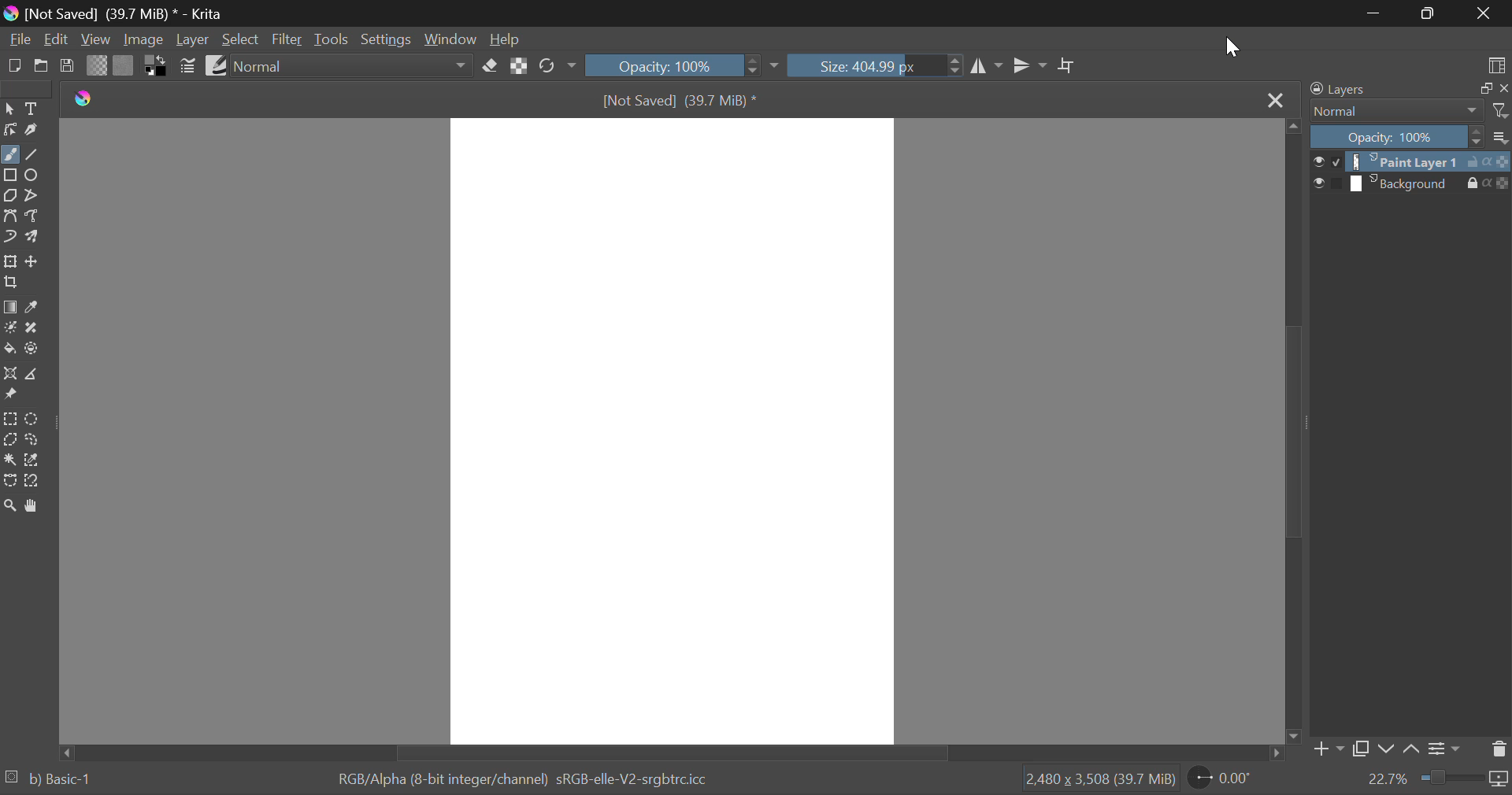  What do you see at coordinates (11, 374) in the screenshot?
I see `Assistant Tool` at bounding box center [11, 374].